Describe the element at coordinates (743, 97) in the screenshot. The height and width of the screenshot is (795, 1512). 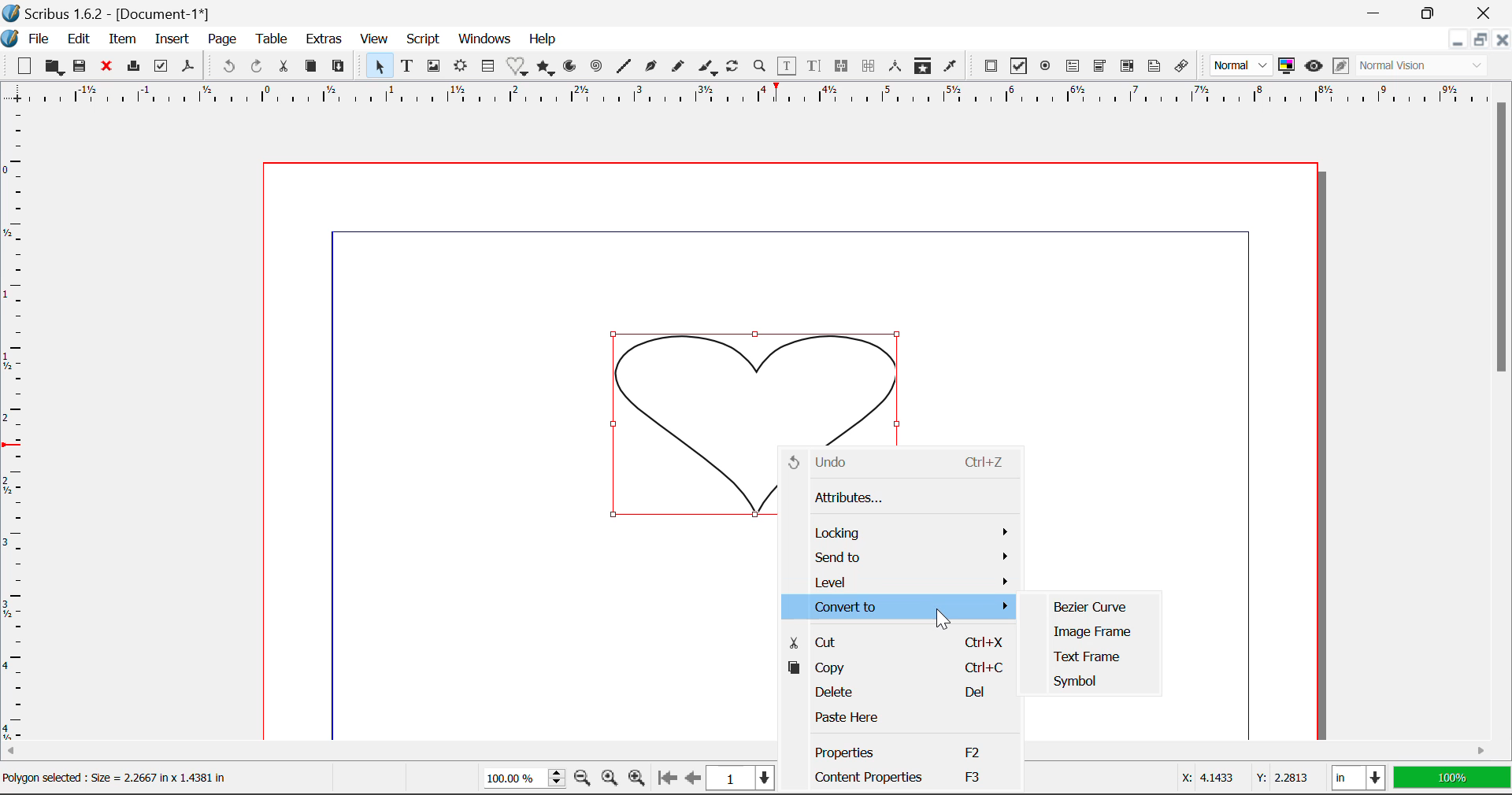
I see `Vertical Page Margins` at that location.